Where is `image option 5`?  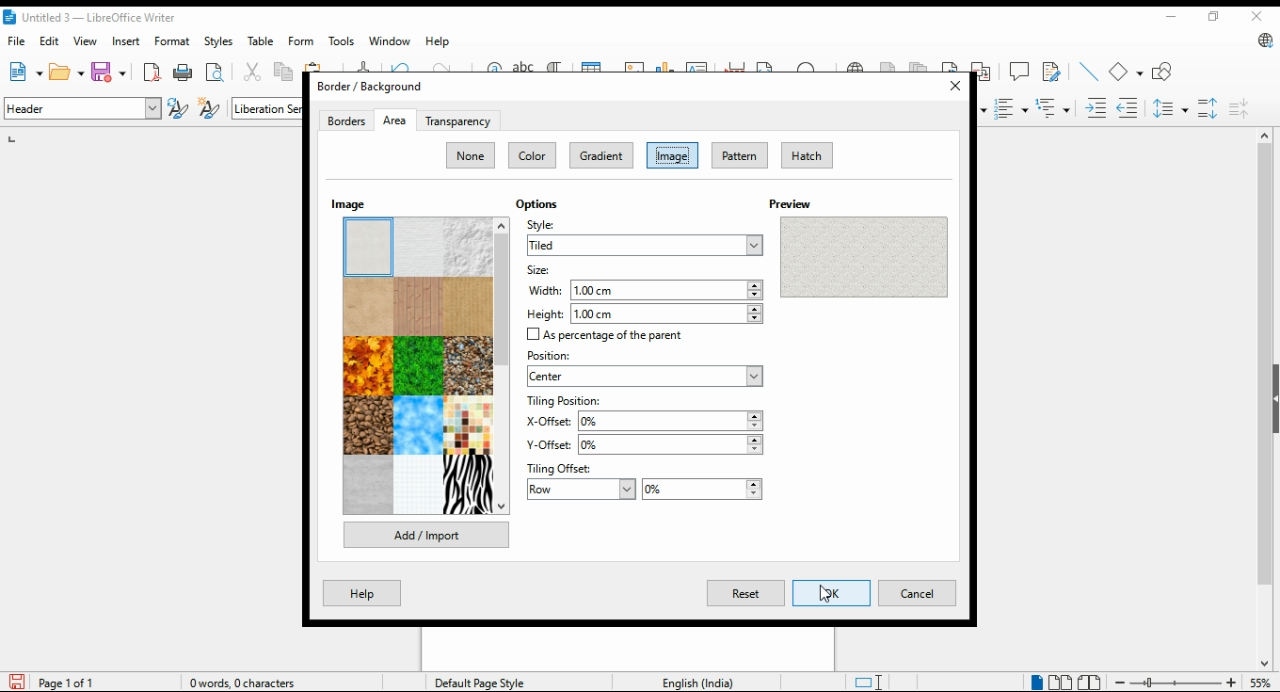 image option 5 is located at coordinates (419, 306).